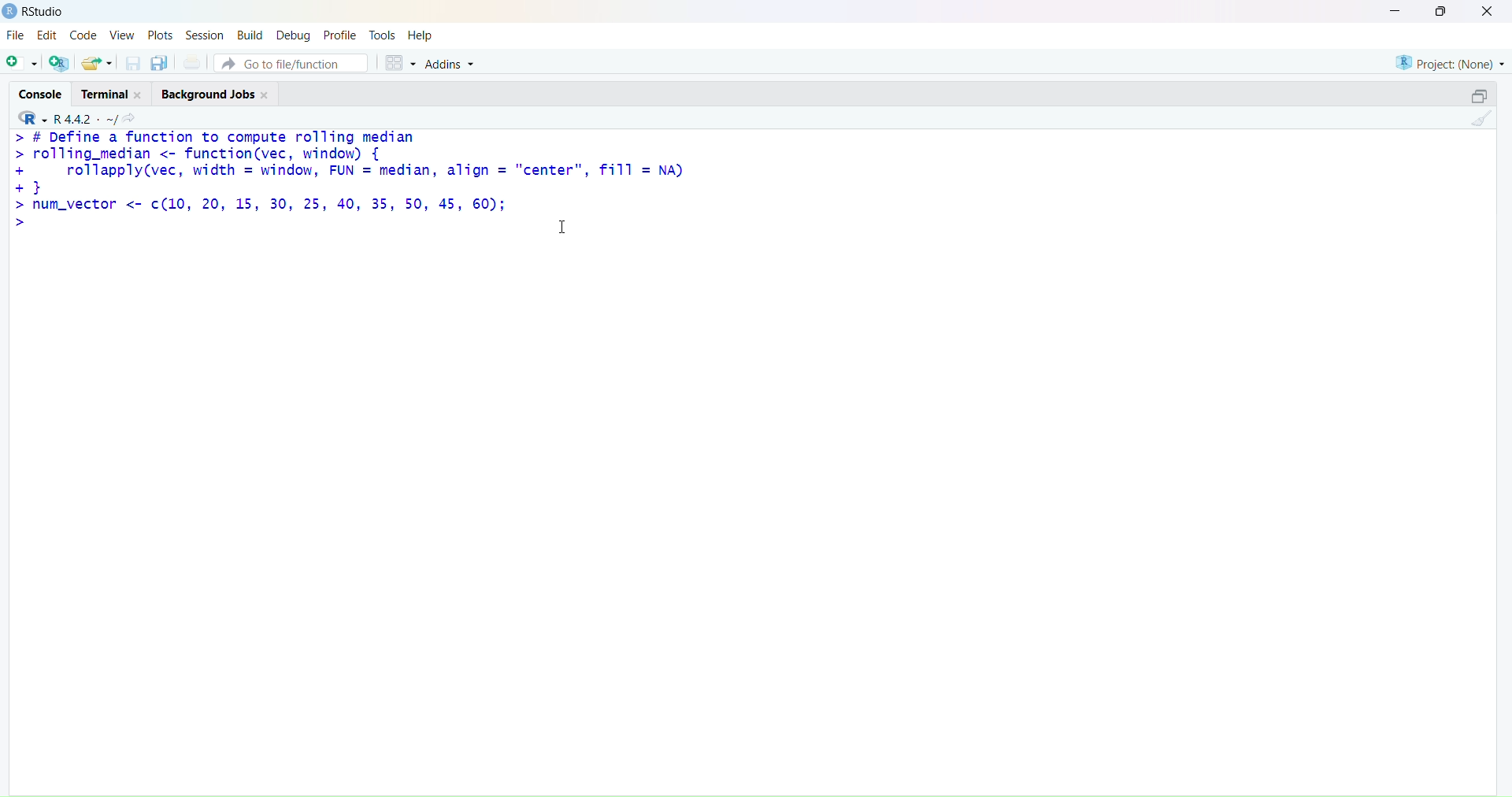 The image size is (1512, 797). Describe the element at coordinates (192, 62) in the screenshot. I see `print` at that location.